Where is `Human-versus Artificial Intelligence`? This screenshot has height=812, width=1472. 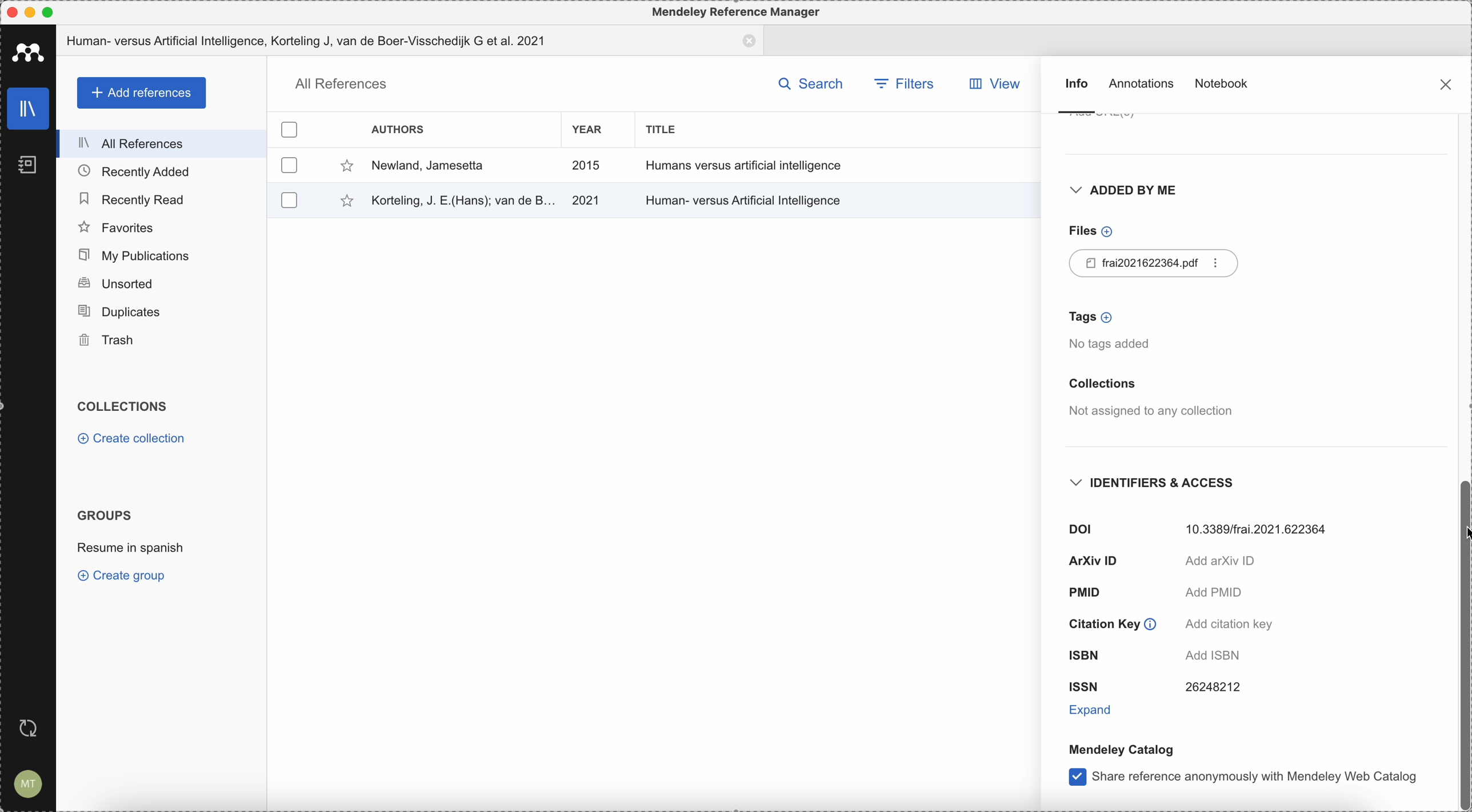
Human-versus Artificial Intelligence is located at coordinates (747, 198).